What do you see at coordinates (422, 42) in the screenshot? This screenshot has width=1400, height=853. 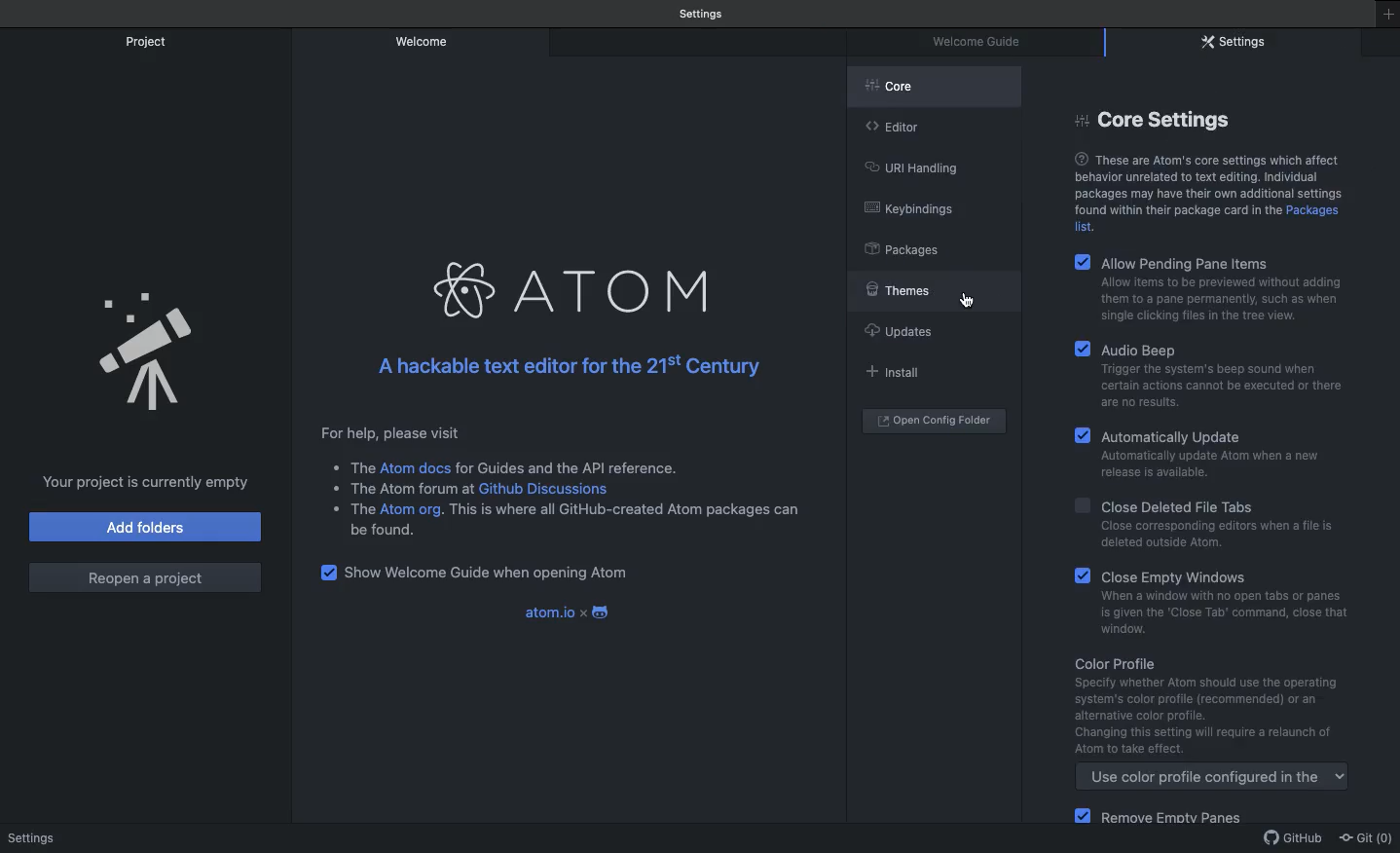 I see `Welcome` at bounding box center [422, 42].